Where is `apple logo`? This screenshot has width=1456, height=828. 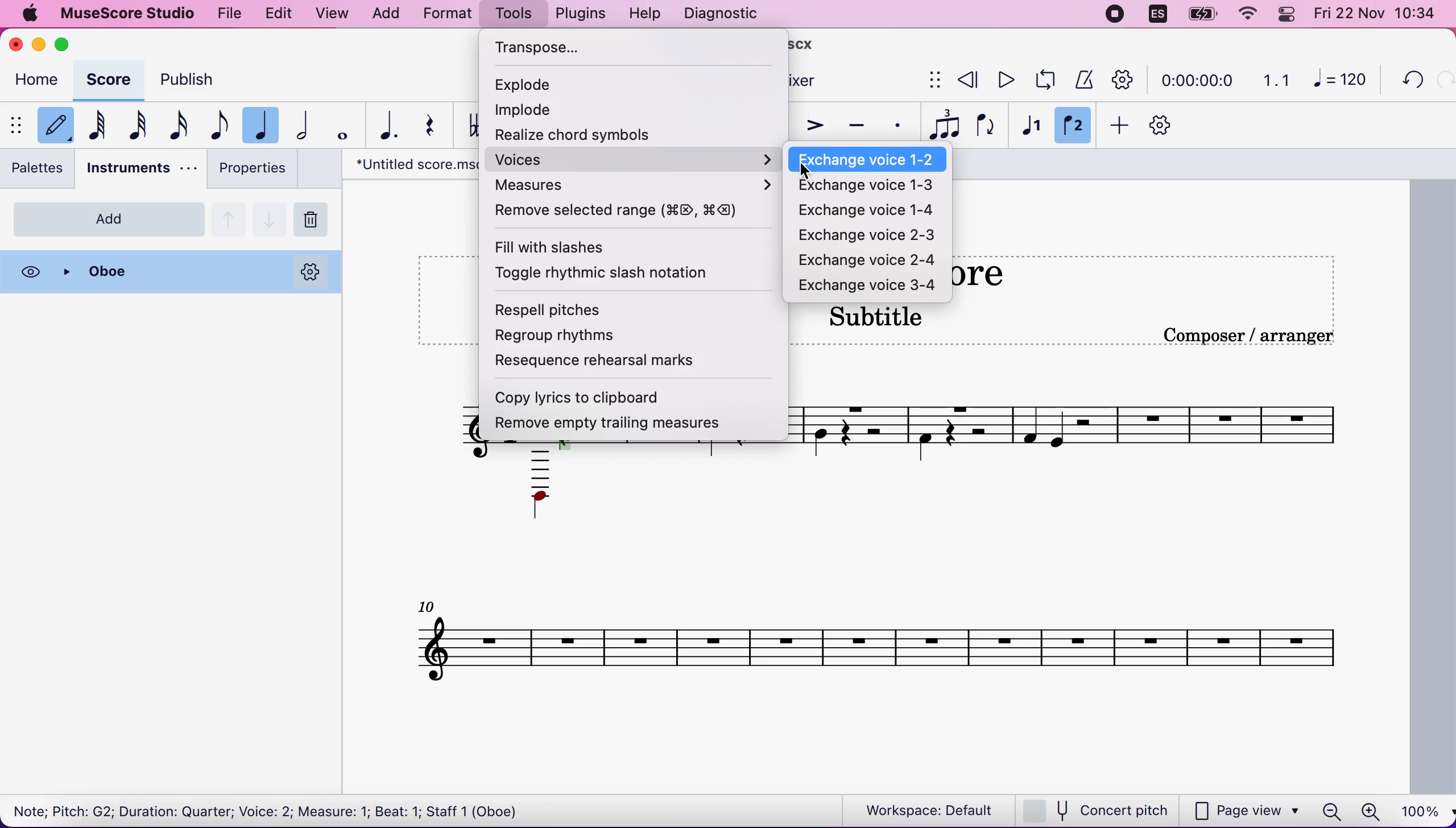 apple logo is located at coordinates (35, 15).